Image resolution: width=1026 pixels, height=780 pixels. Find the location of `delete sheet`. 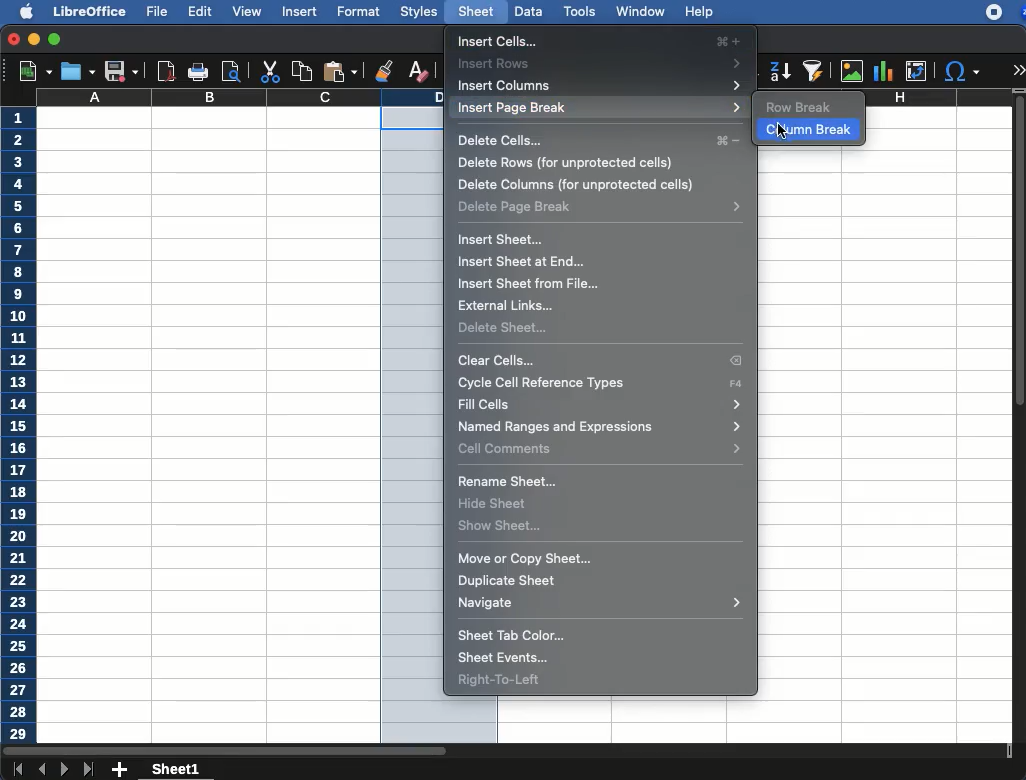

delete sheet is located at coordinates (503, 328).